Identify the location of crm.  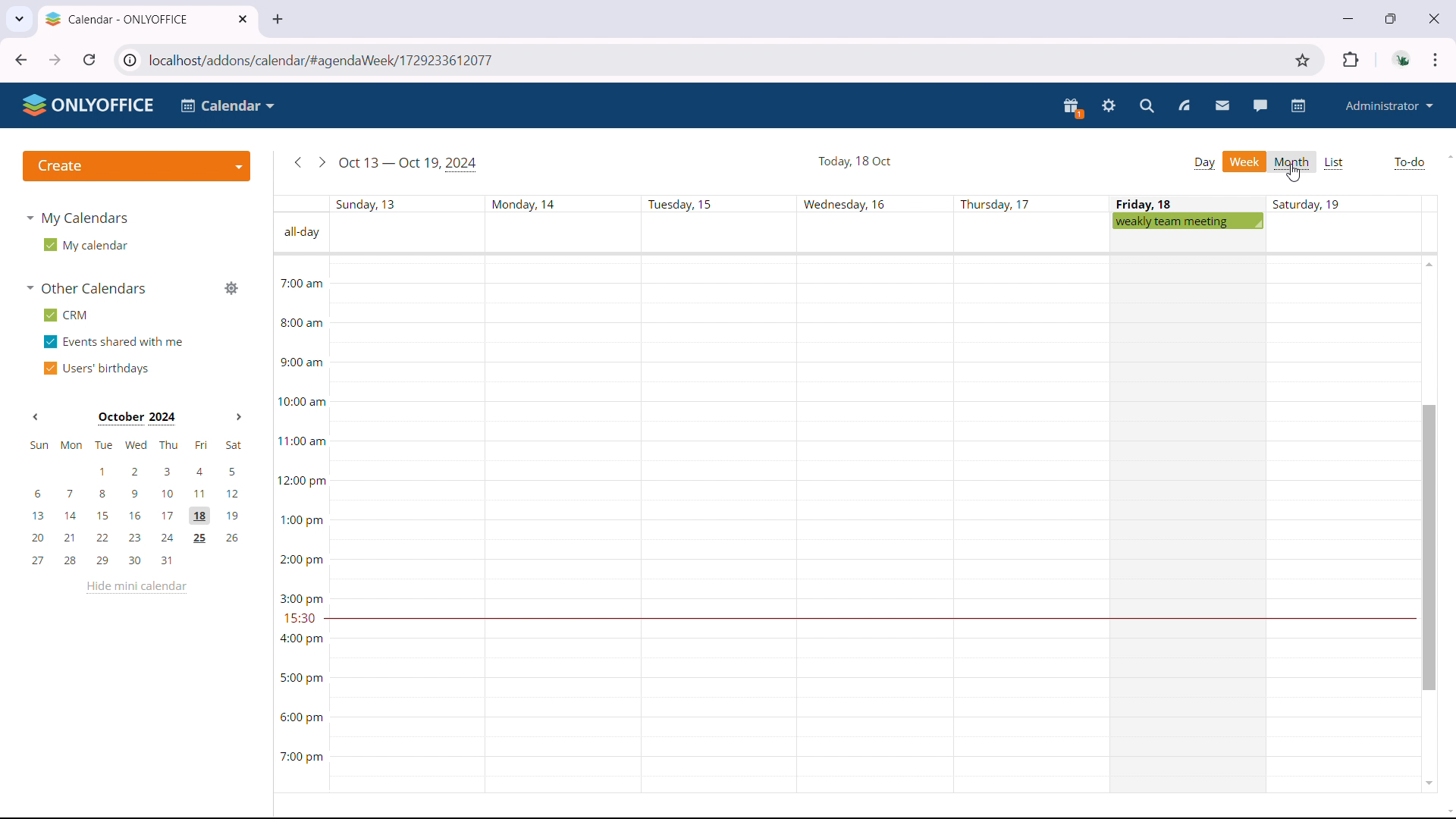
(65, 315).